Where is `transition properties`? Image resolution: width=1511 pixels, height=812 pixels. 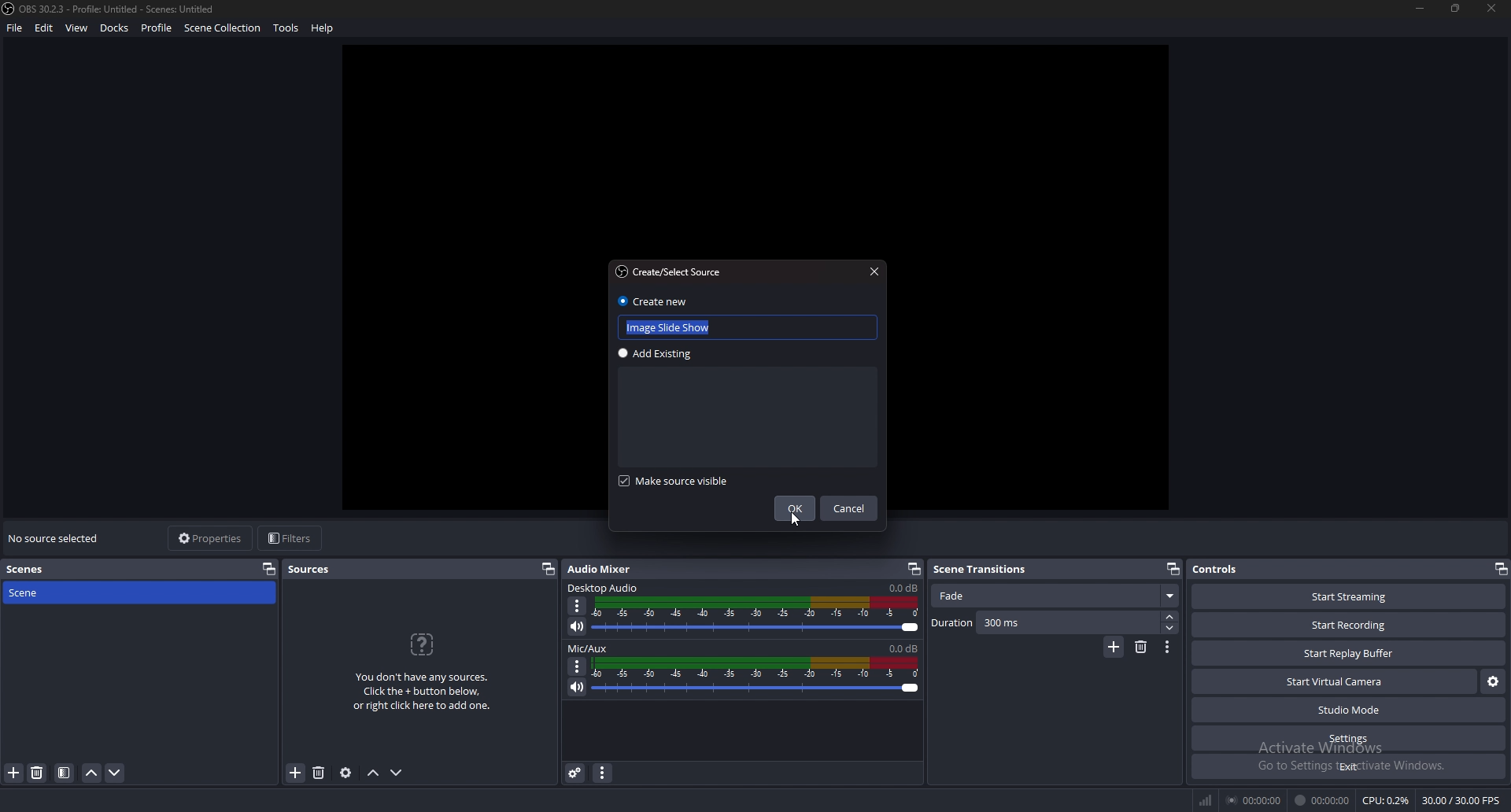
transition properties is located at coordinates (1168, 648).